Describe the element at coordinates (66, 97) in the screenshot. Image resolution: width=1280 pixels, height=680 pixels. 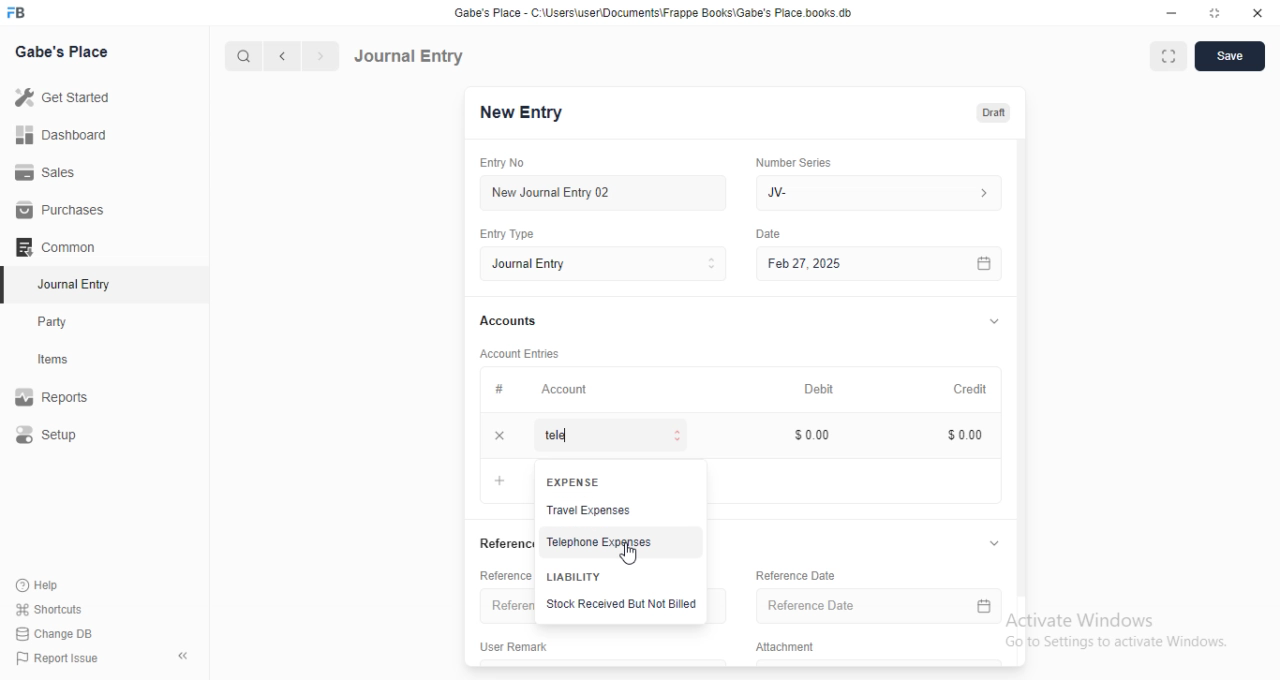
I see `Get Started` at that location.